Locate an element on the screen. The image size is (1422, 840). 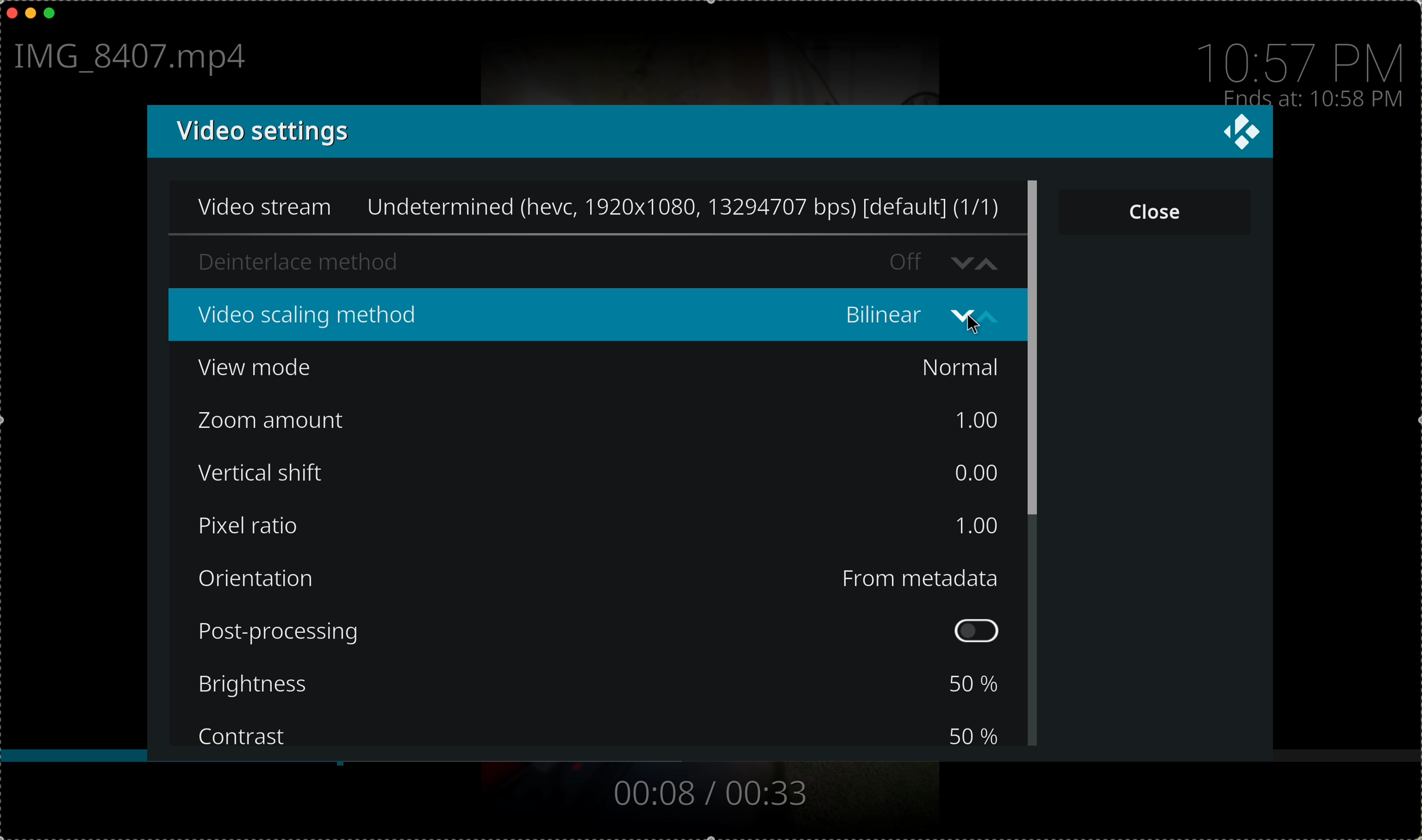
view mode  Normal is located at coordinates (603, 368).